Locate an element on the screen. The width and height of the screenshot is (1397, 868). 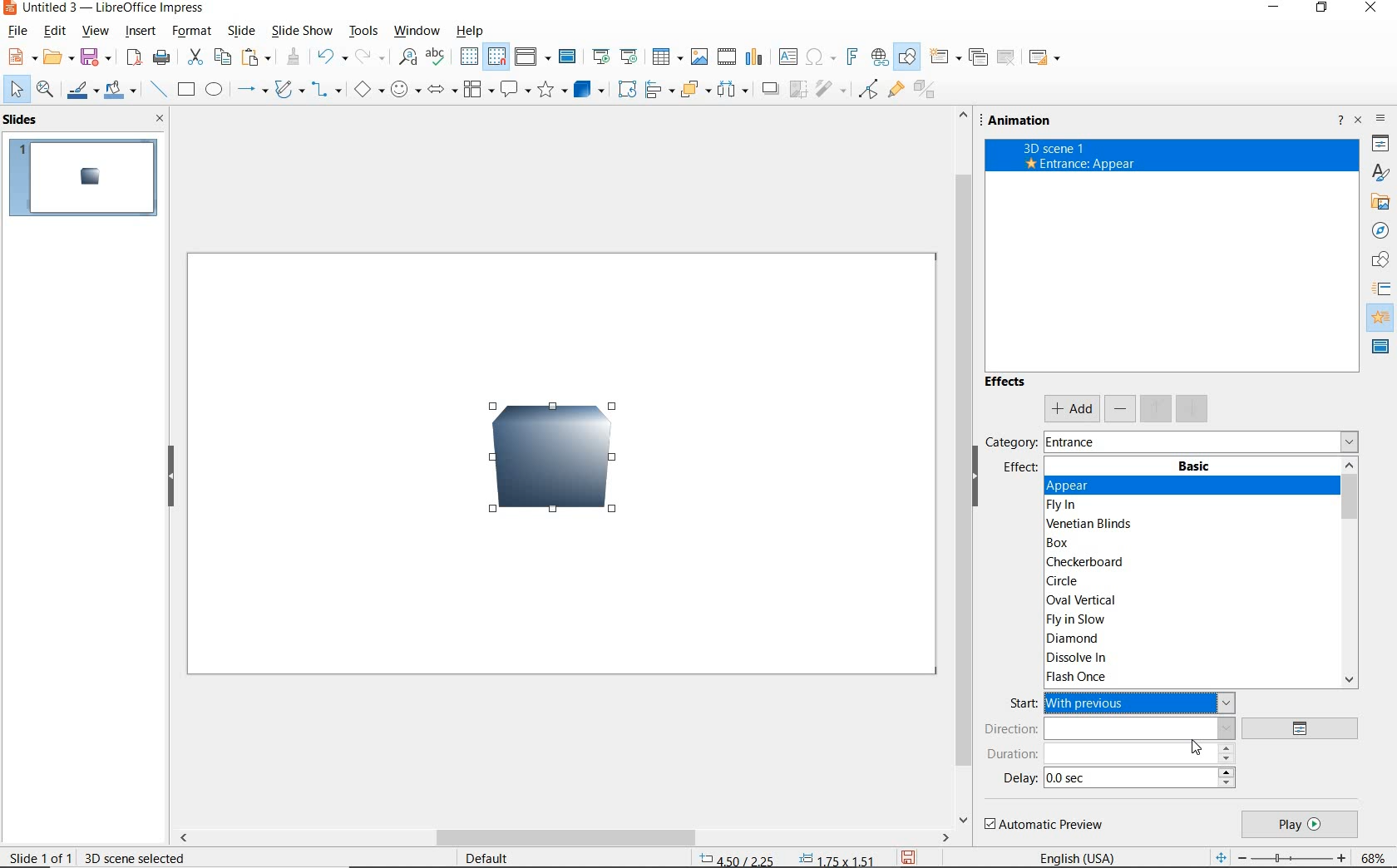
new slide is located at coordinates (945, 58).